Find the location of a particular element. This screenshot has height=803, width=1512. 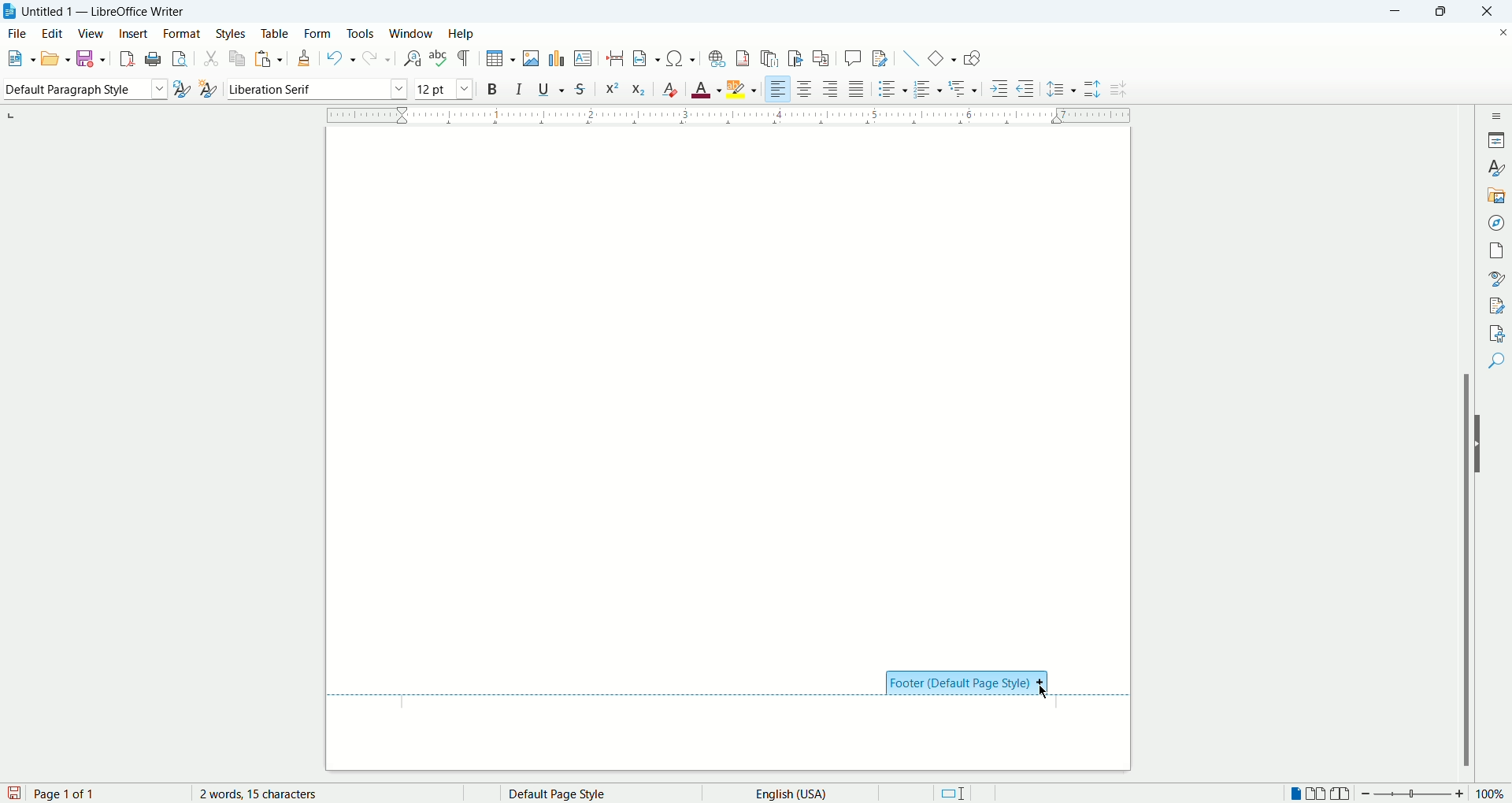

export as pdf is located at coordinates (124, 58).